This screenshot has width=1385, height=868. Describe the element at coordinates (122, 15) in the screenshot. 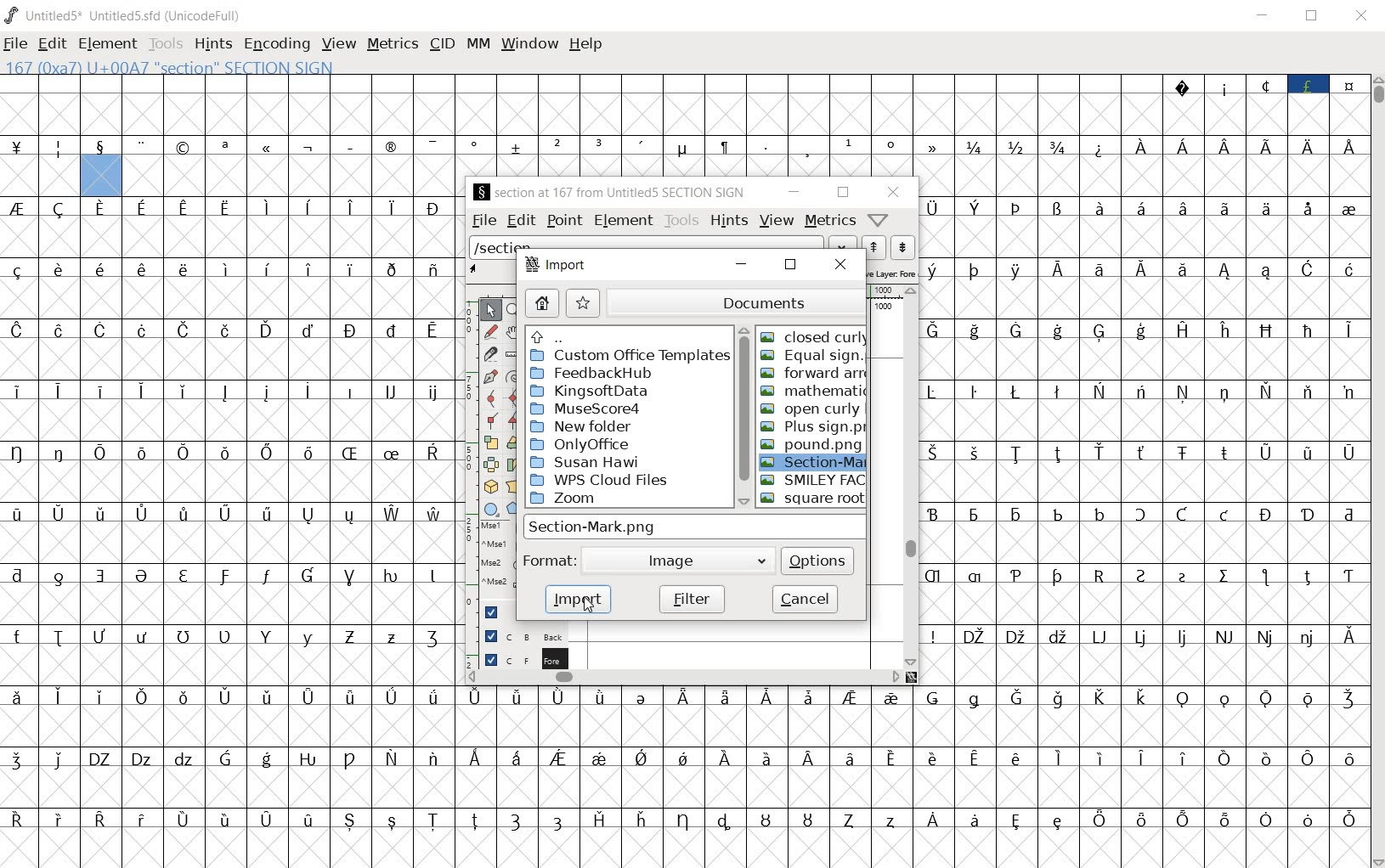

I see `Untitled1 Untitled1.sfd (UnicodeFull)` at that location.